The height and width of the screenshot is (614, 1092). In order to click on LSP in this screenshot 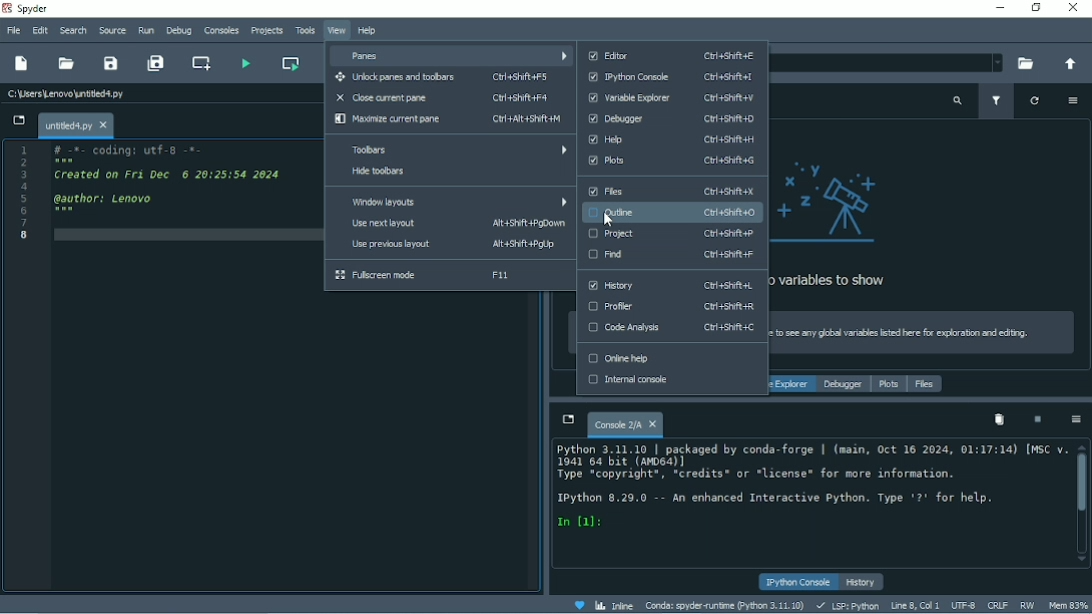, I will do `click(847, 605)`.